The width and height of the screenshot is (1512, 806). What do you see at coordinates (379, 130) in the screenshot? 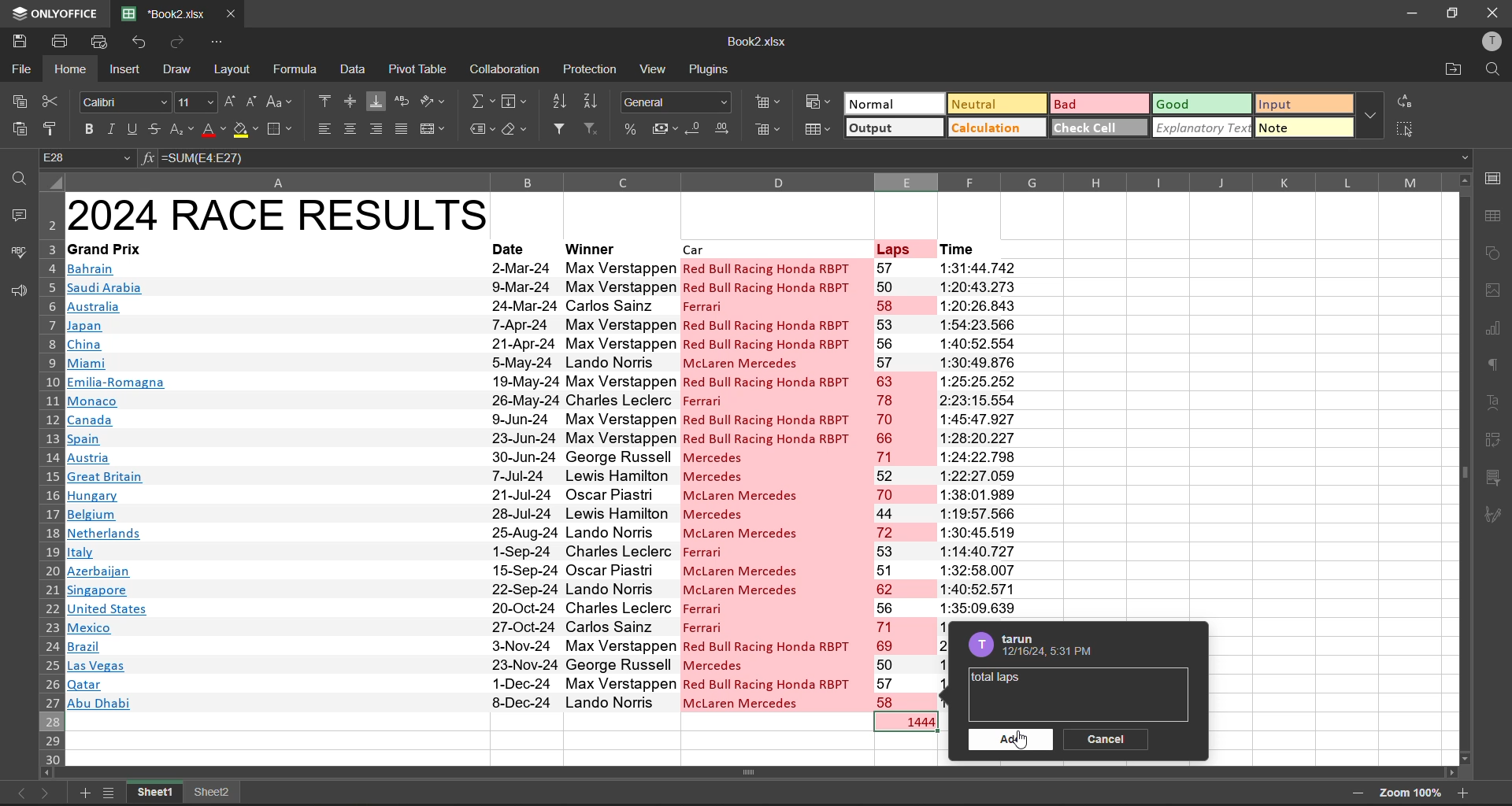
I see `align right` at bounding box center [379, 130].